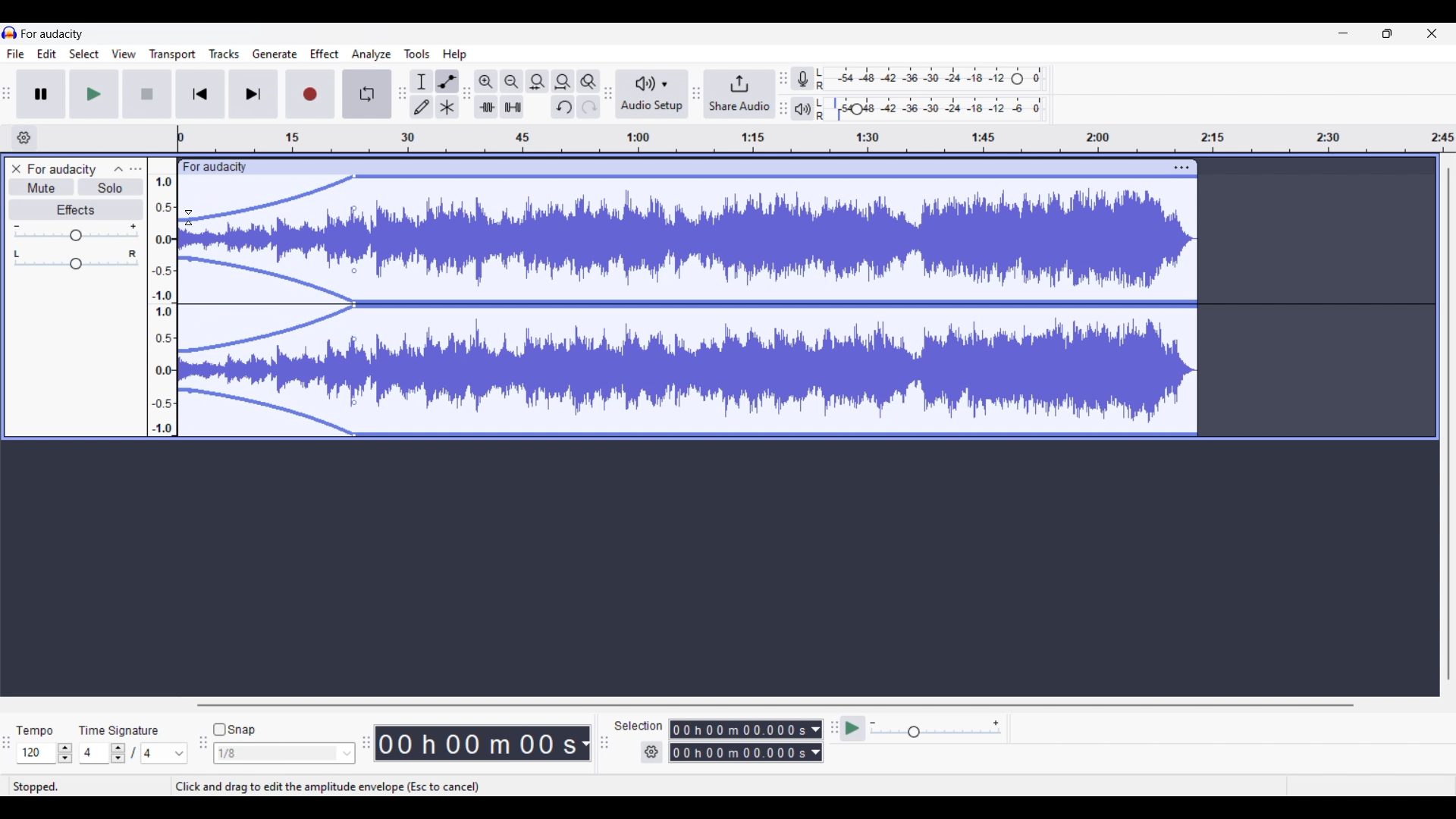 The width and height of the screenshot is (1456, 819). What do you see at coordinates (284, 754) in the screenshot?
I see `Snap options` at bounding box center [284, 754].